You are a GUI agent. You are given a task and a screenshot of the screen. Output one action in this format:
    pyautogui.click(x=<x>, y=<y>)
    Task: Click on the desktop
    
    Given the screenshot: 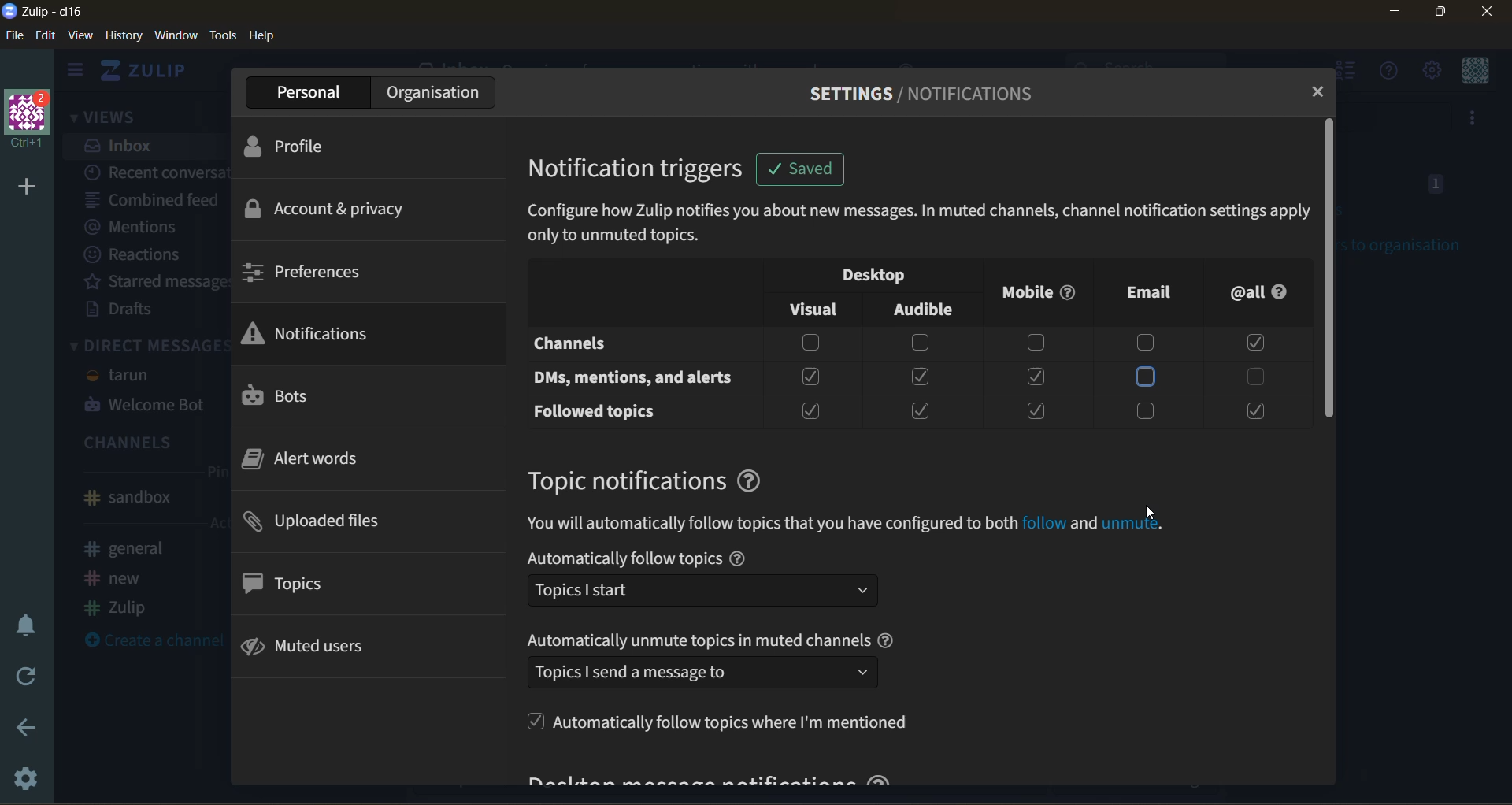 What is the action you would take?
    pyautogui.click(x=867, y=274)
    